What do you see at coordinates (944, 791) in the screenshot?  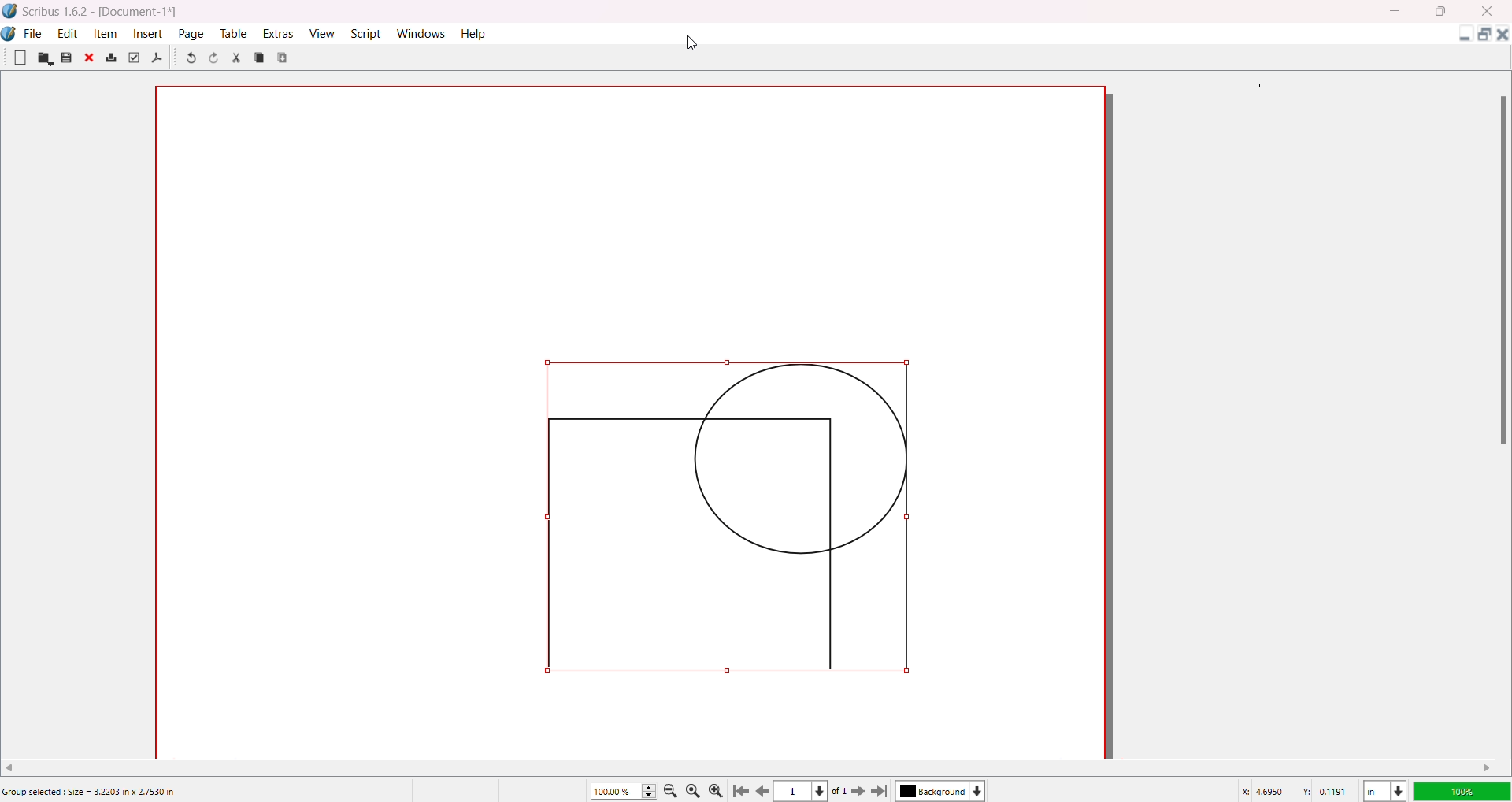 I see `Background color` at bounding box center [944, 791].